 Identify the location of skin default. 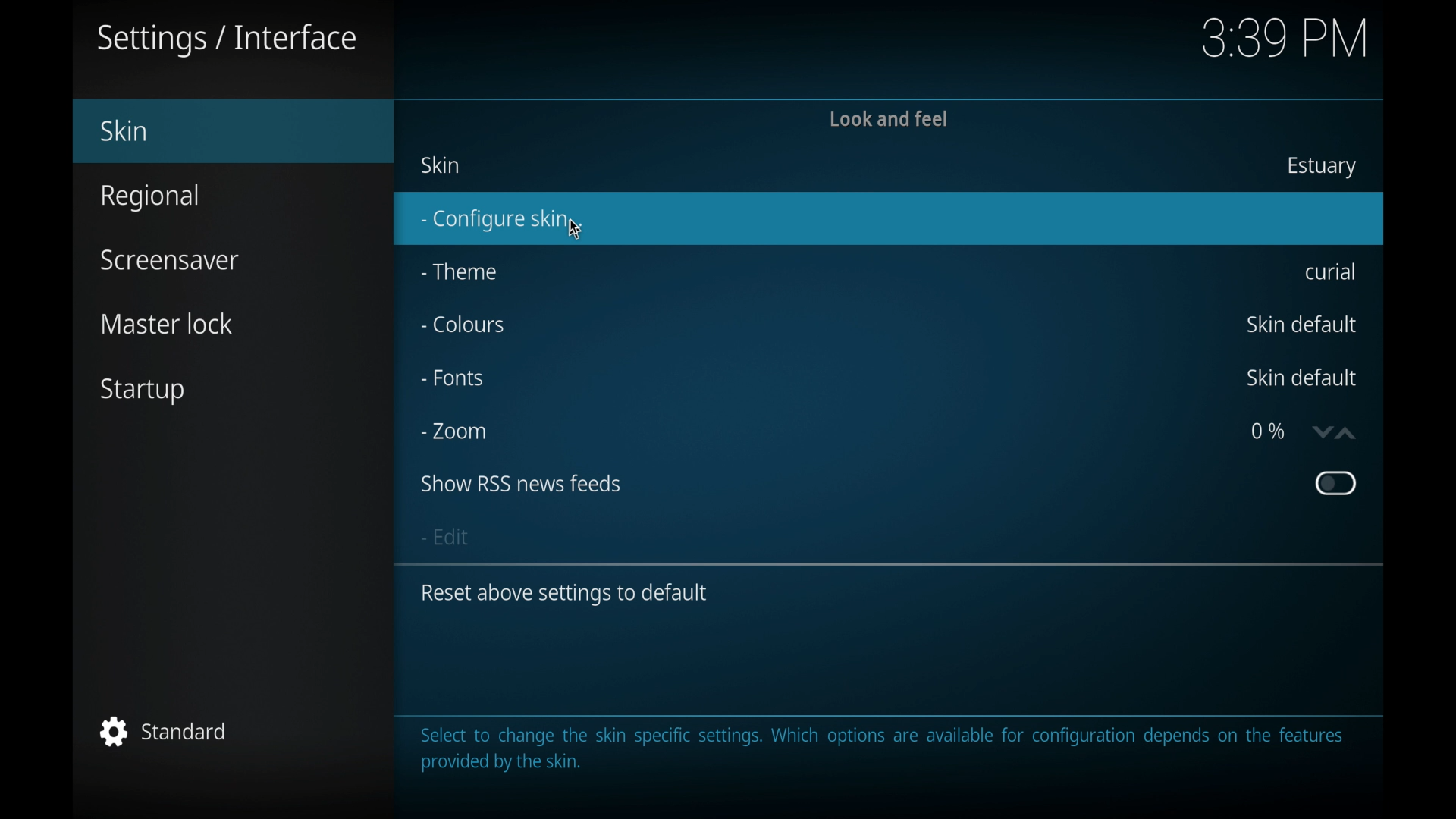
(1304, 324).